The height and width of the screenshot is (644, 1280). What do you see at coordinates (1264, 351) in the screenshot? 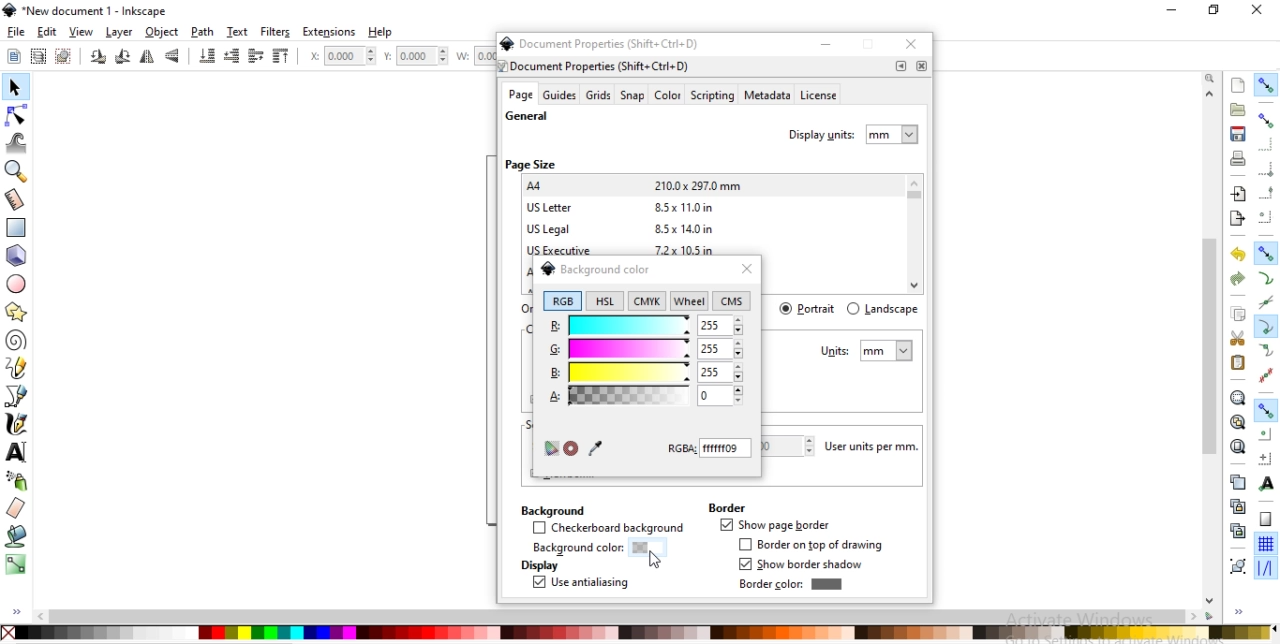
I see `snap smooth nodes` at bounding box center [1264, 351].